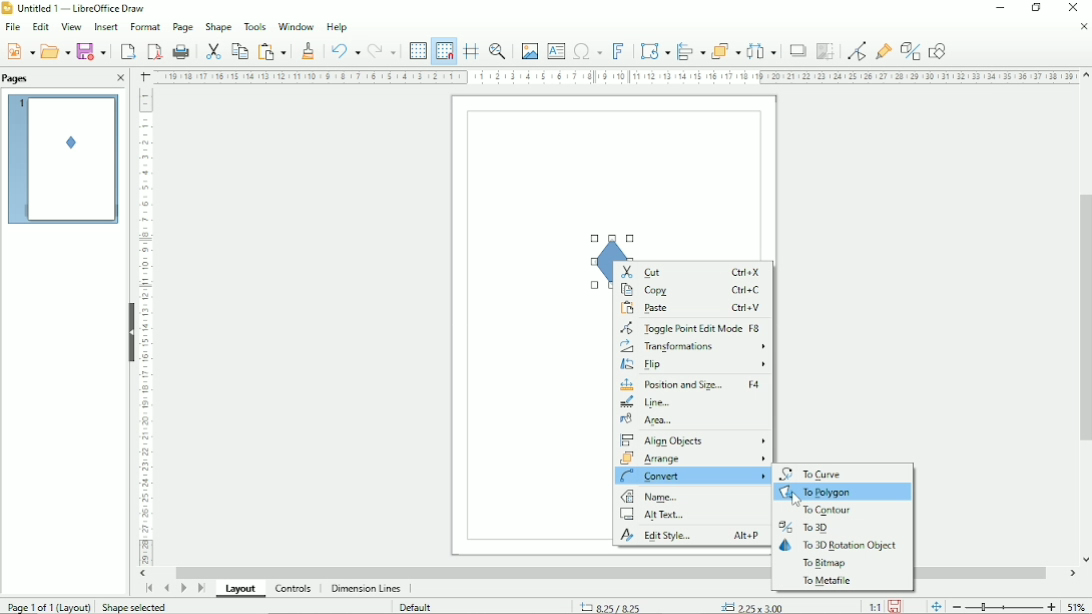 The image size is (1092, 614). I want to click on Zoom factor, so click(1078, 605).